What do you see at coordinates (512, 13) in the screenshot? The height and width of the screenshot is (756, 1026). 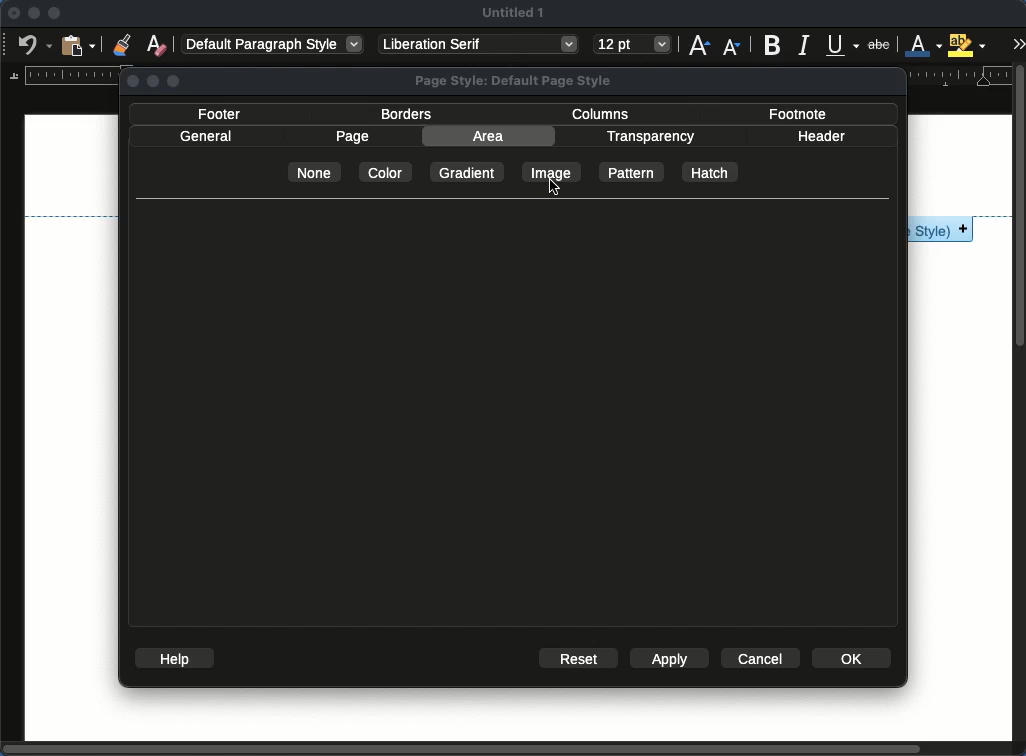 I see `Untitled 1` at bounding box center [512, 13].